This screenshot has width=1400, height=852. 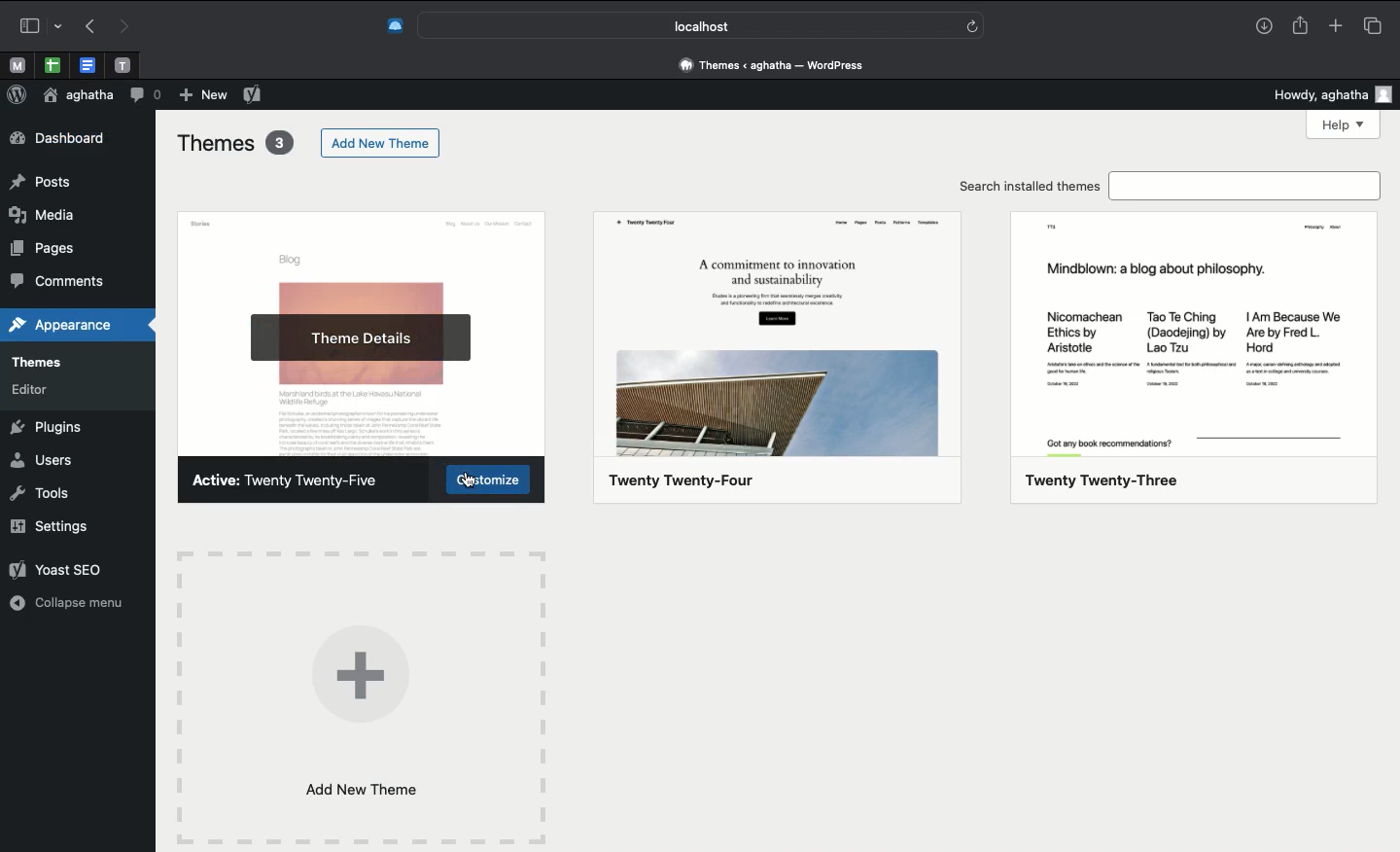 What do you see at coordinates (704, 25) in the screenshot?
I see `Search bar` at bounding box center [704, 25].